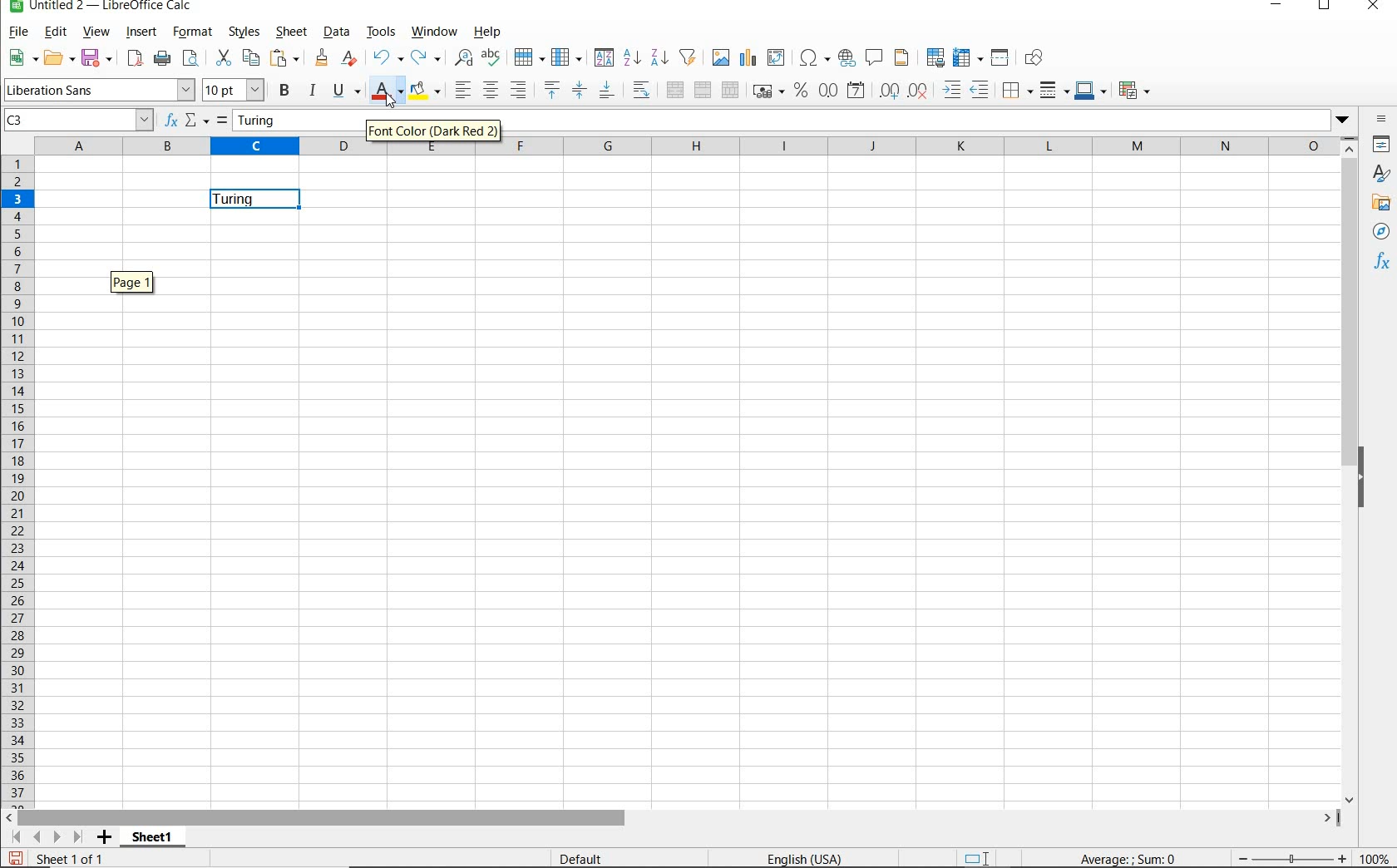 The image size is (1397, 868). I want to click on SCROLLBAR, so click(674, 817).